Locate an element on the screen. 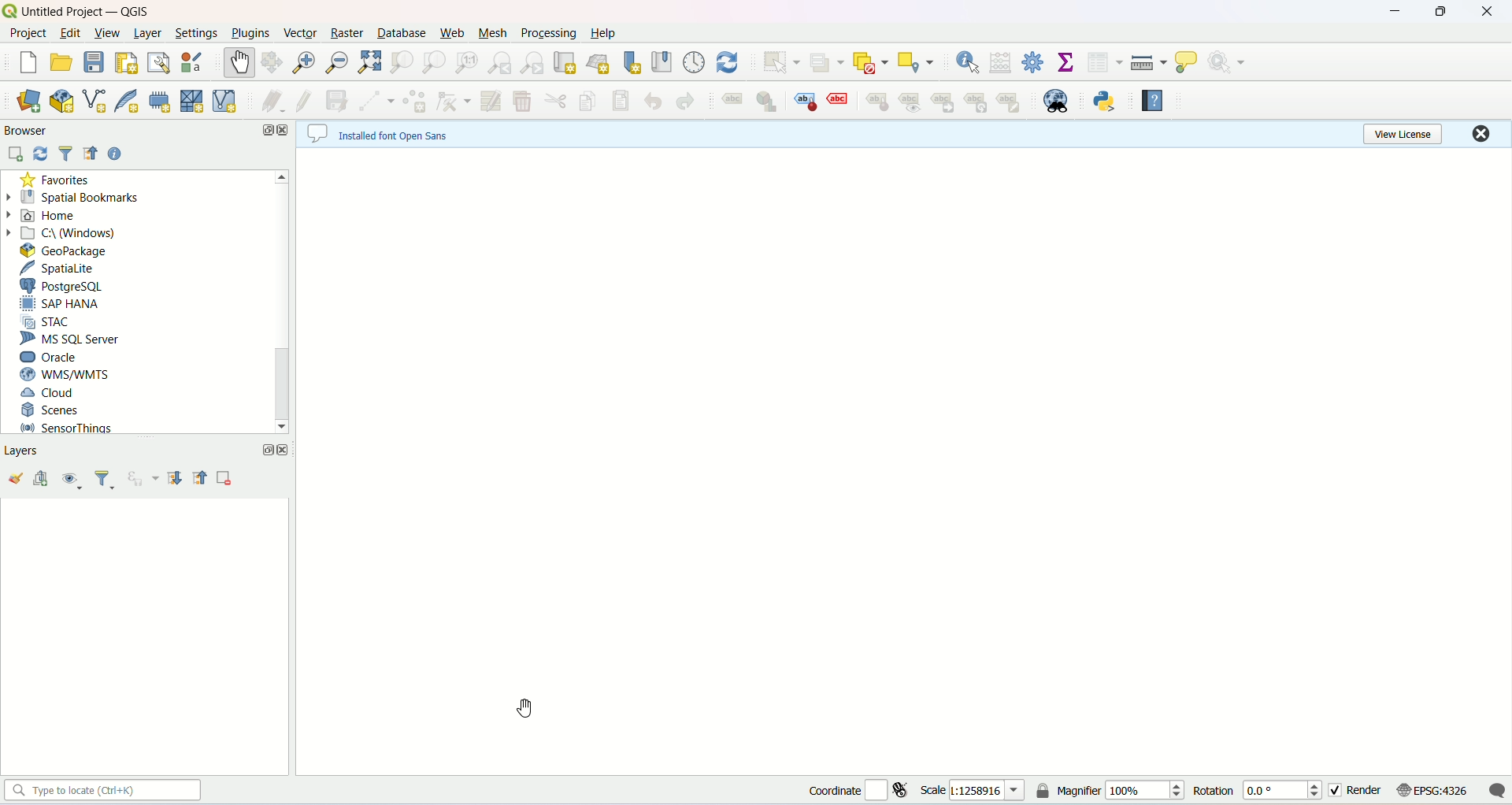  select features by value is located at coordinates (828, 61).